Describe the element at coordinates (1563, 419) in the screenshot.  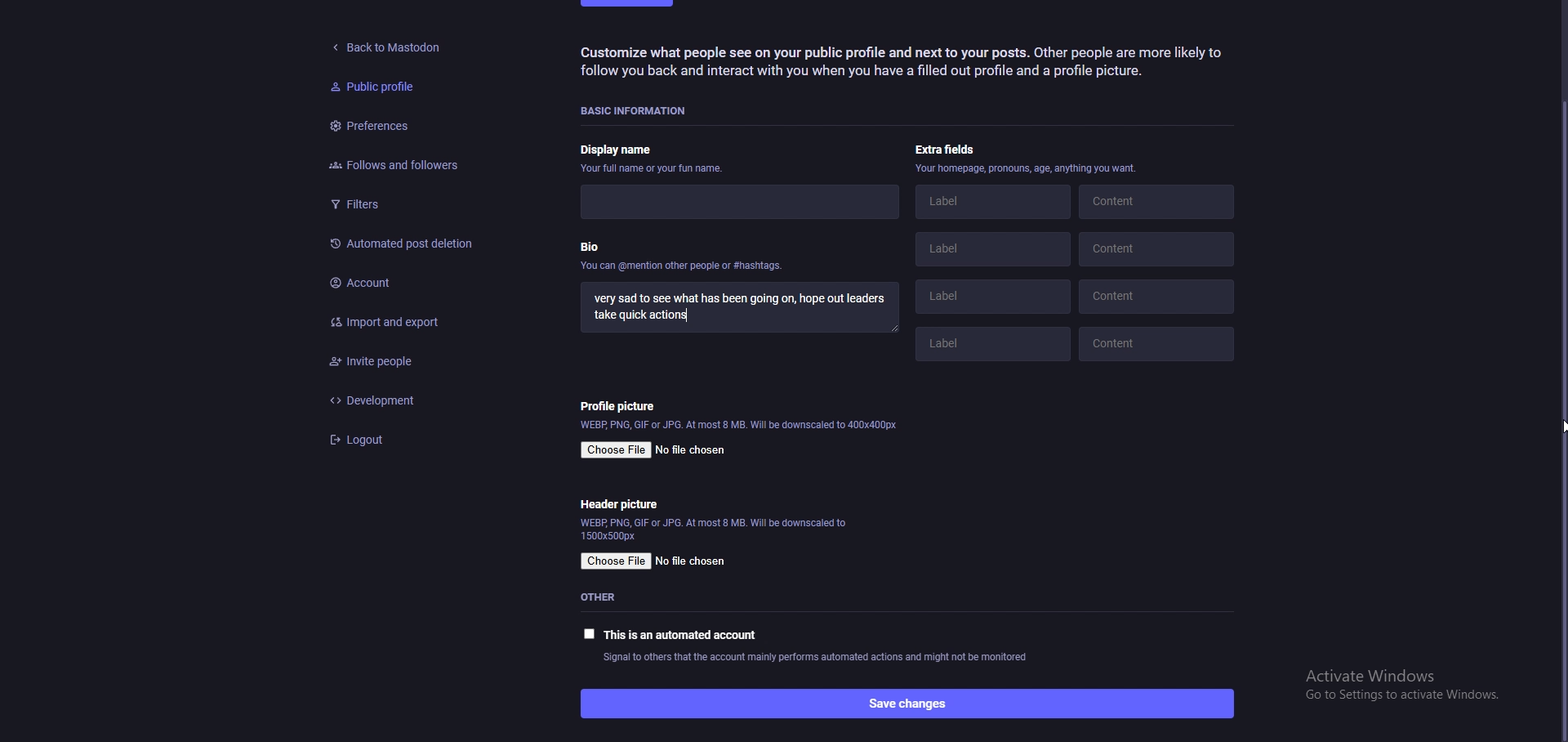
I see `cursor` at that location.